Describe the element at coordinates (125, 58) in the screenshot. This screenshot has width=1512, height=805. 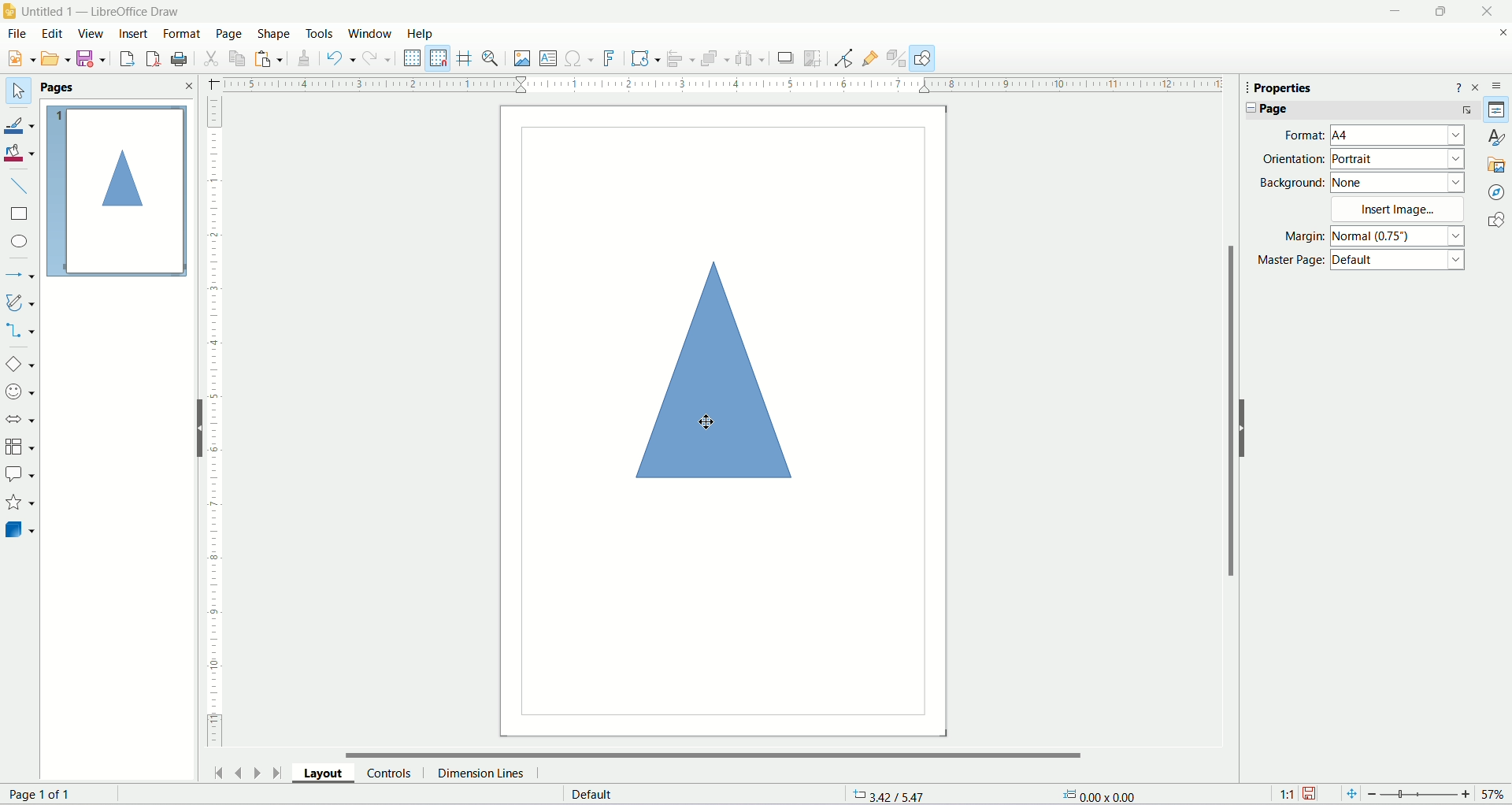
I see `export` at that location.